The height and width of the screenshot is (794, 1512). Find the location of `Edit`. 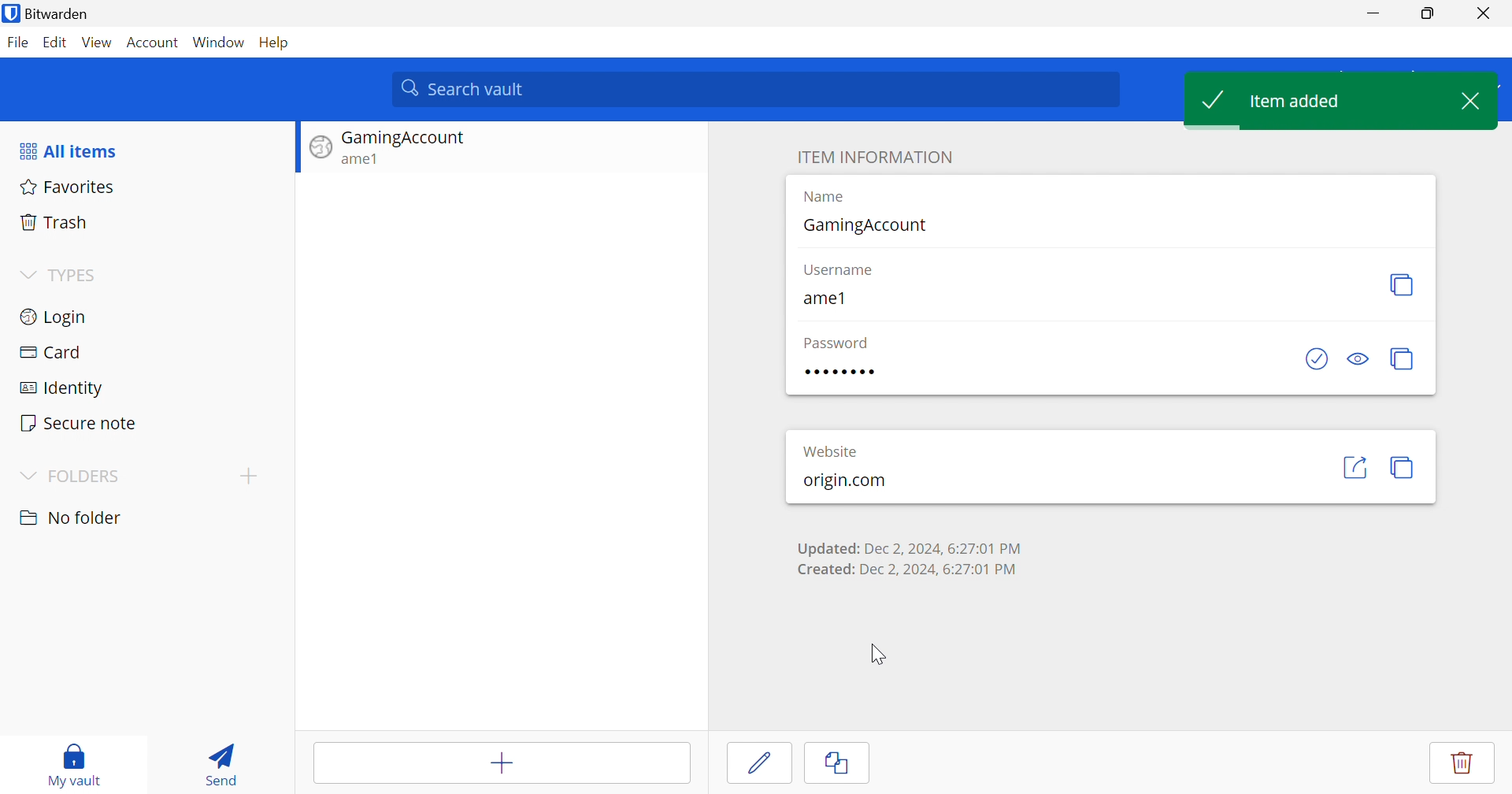

Edit is located at coordinates (759, 762).